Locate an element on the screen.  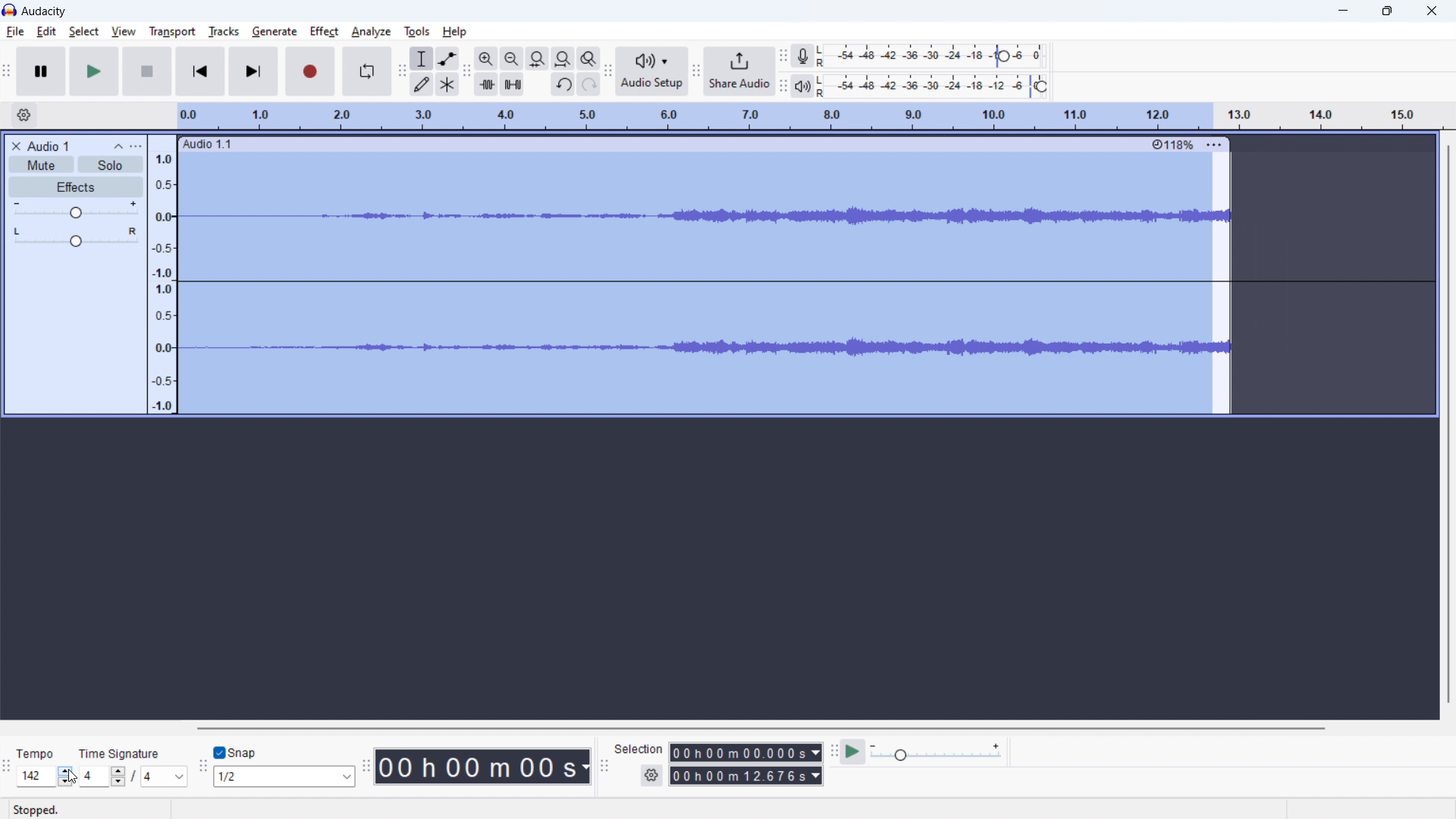
fit project to width is located at coordinates (563, 58).